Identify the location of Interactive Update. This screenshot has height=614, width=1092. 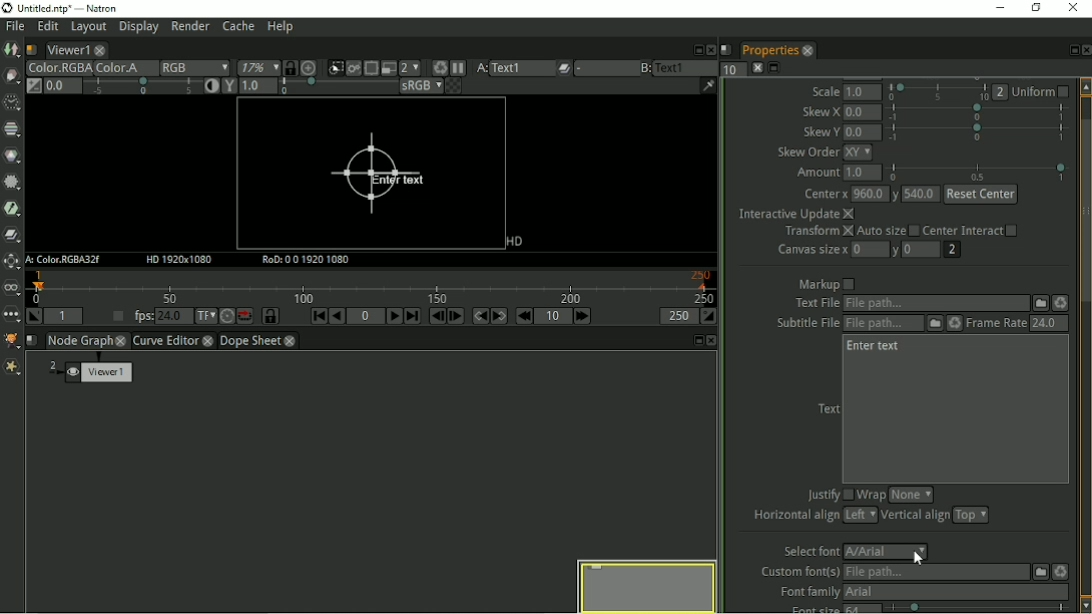
(794, 215).